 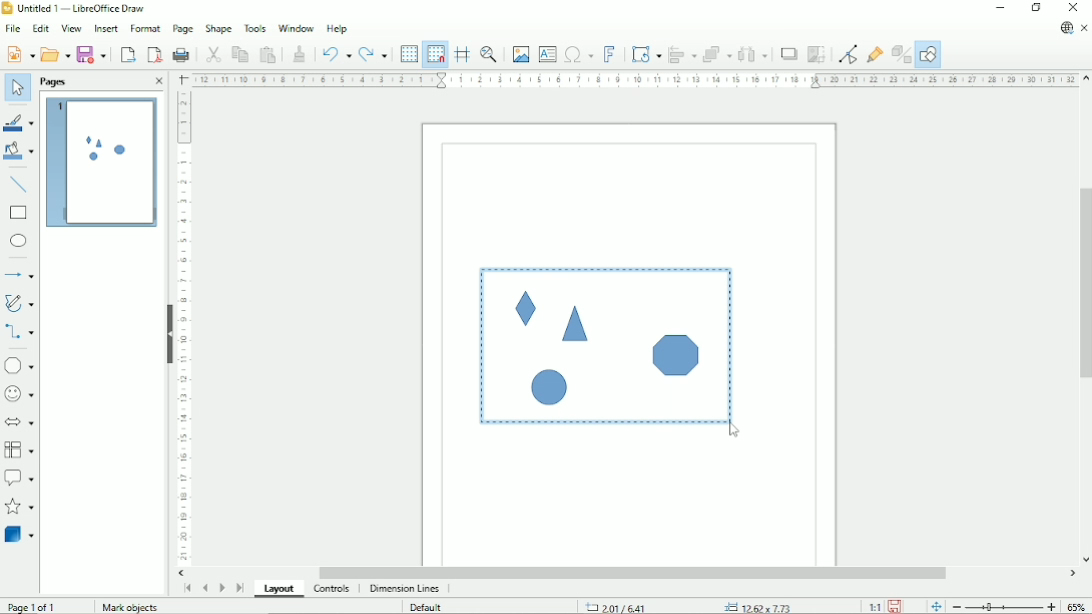 What do you see at coordinates (1038, 9) in the screenshot?
I see `Restore down` at bounding box center [1038, 9].